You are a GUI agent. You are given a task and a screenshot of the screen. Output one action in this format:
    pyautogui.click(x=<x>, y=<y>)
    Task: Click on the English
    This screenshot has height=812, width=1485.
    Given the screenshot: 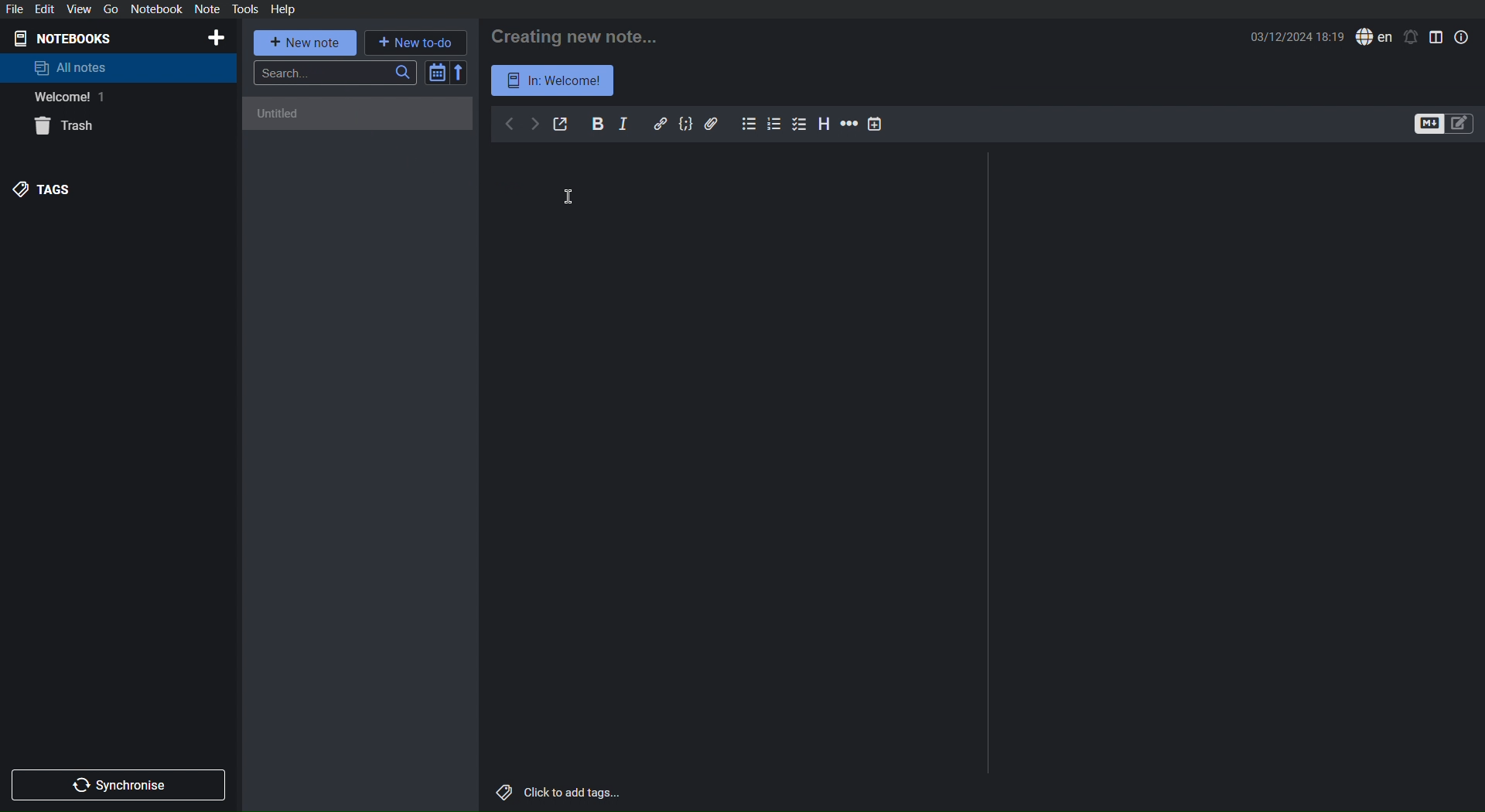 What is the action you would take?
    pyautogui.click(x=1374, y=37)
    